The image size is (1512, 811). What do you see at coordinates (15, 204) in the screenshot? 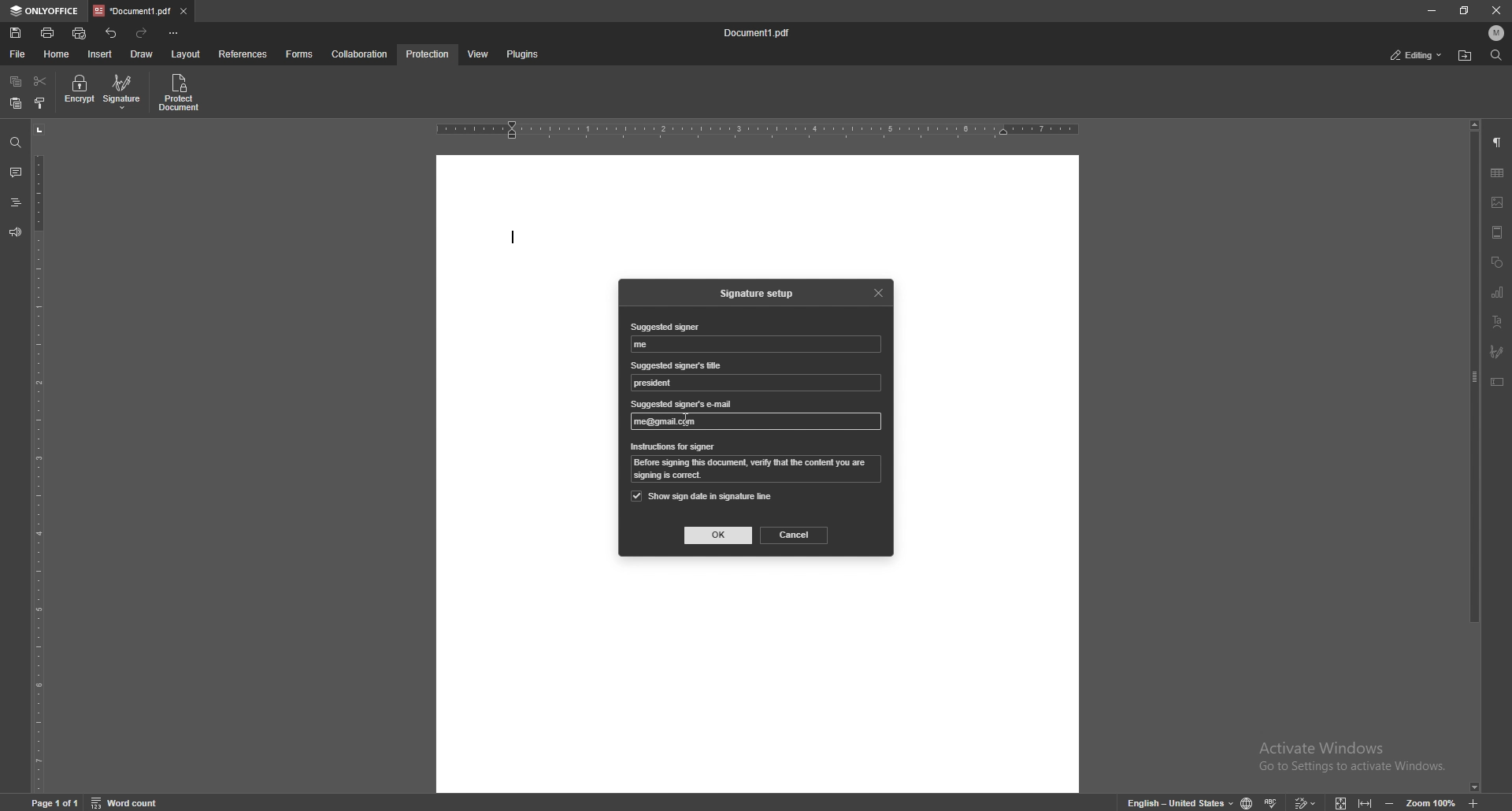
I see `heading` at bounding box center [15, 204].